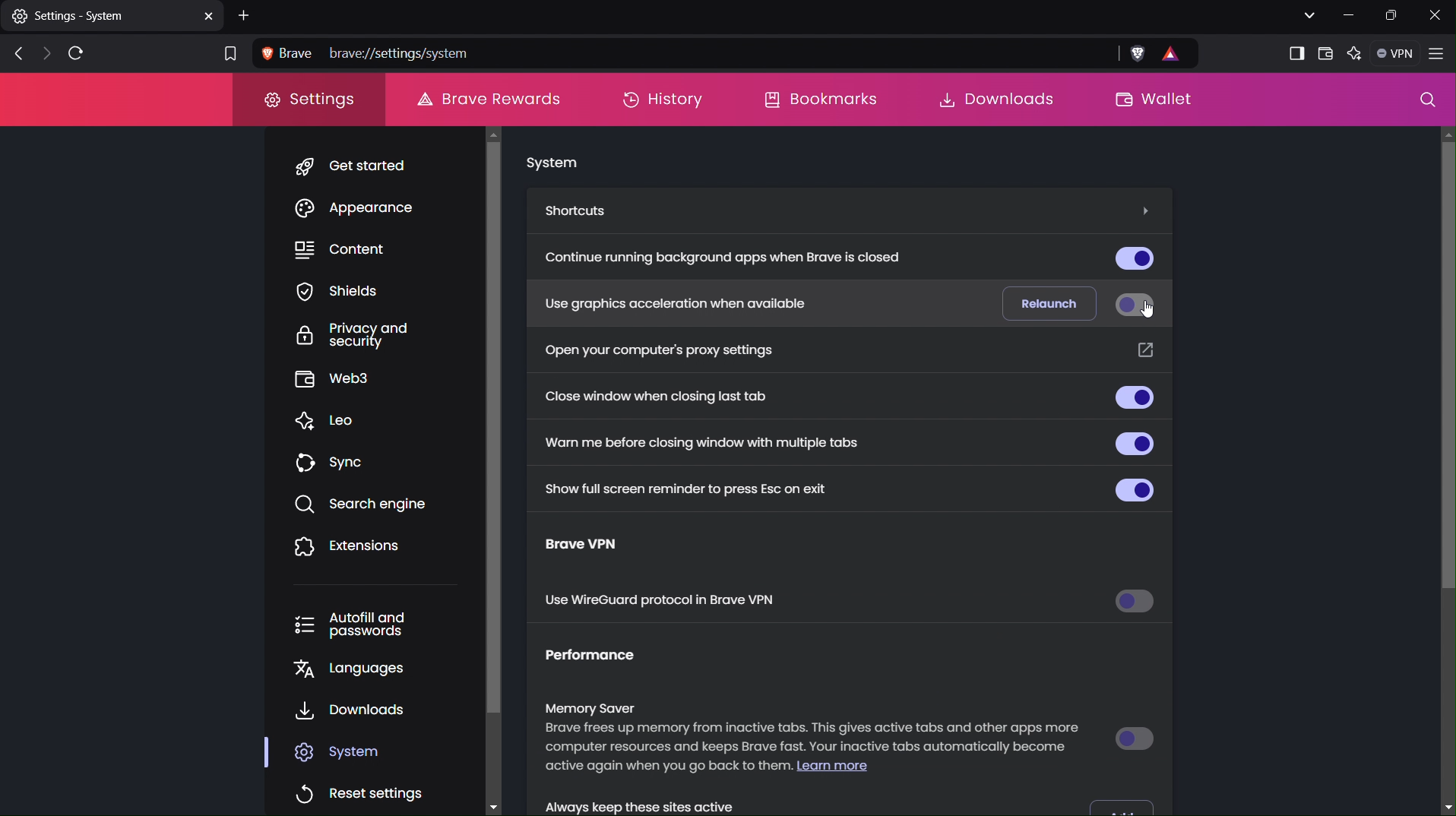 The height and width of the screenshot is (816, 1456). I want to click on Refresh, so click(79, 52).